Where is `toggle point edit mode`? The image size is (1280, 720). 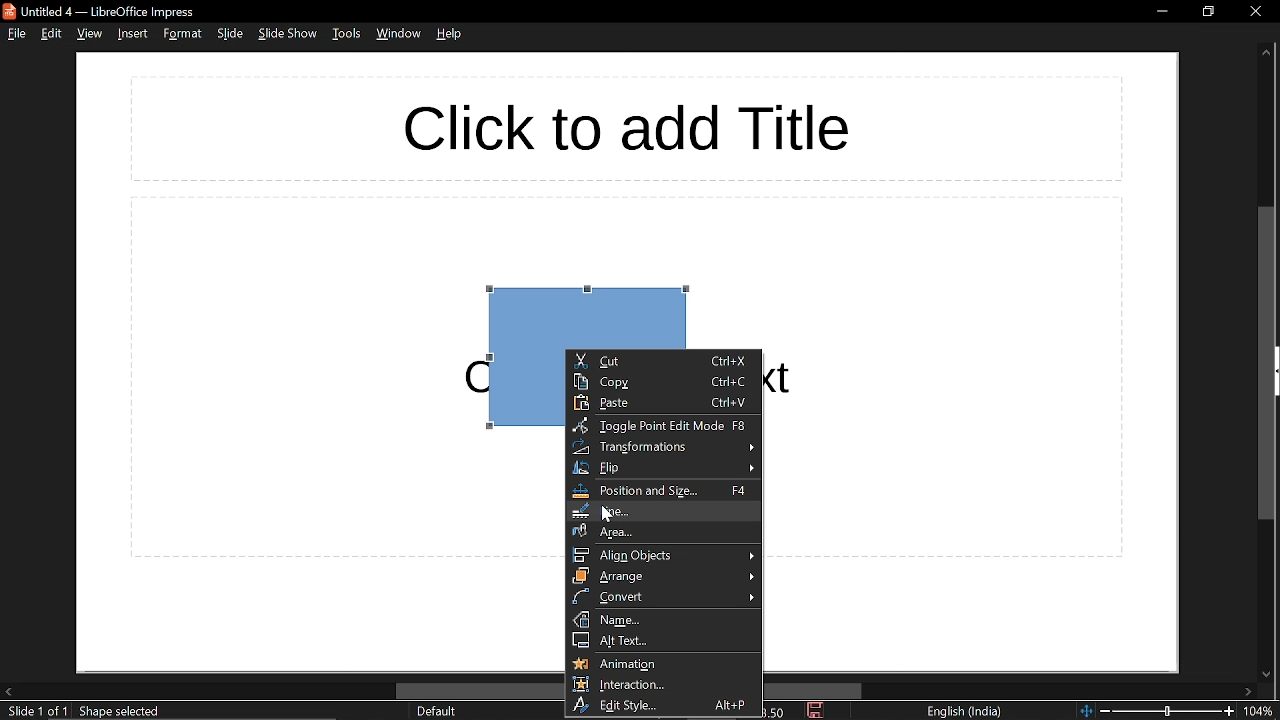 toggle point edit mode is located at coordinates (662, 425).